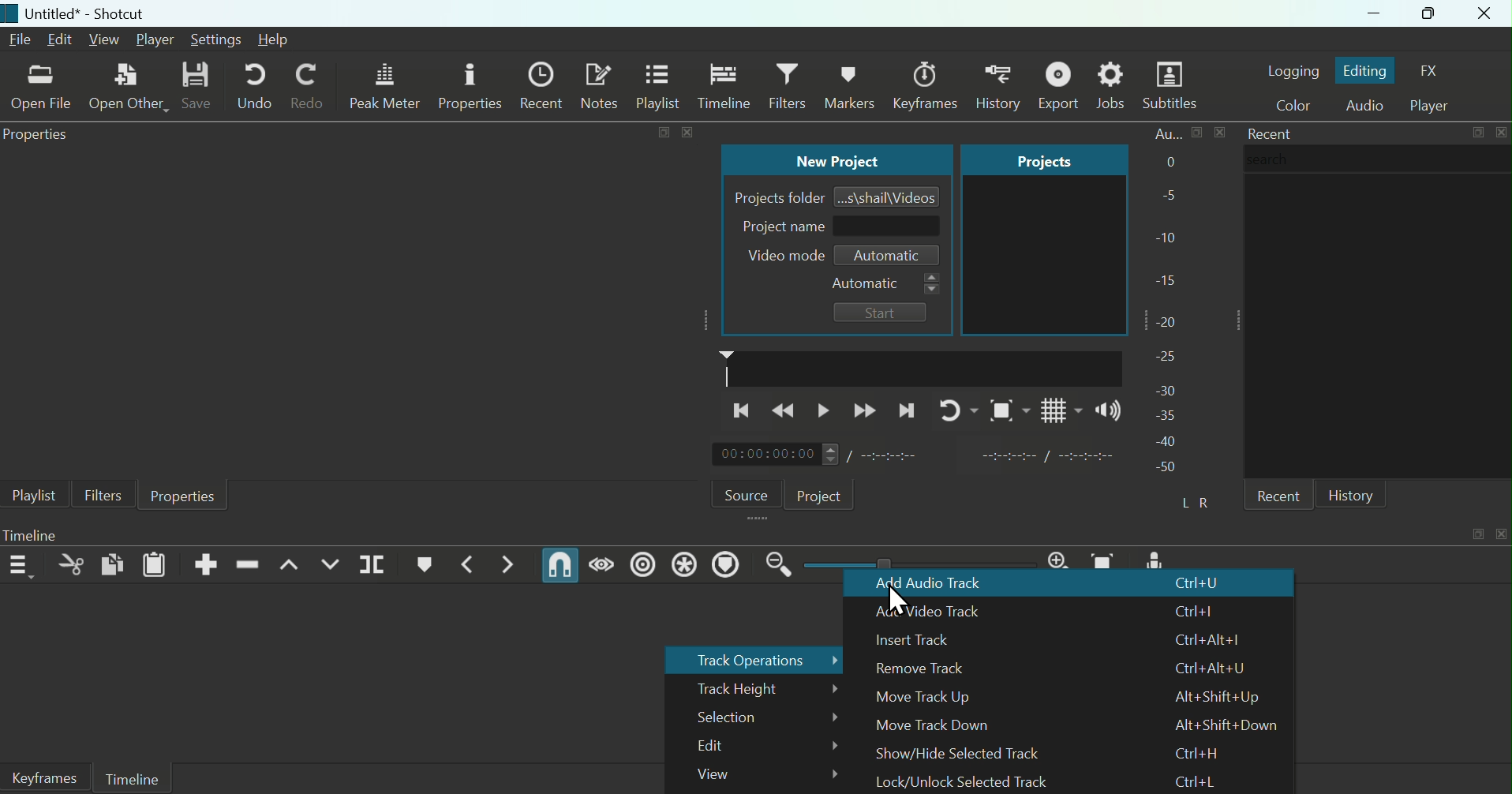 This screenshot has height=794, width=1512. What do you see at coordinates (313, 89) in the screenshot?
I see `Redo` at bounding box center [313, 89].